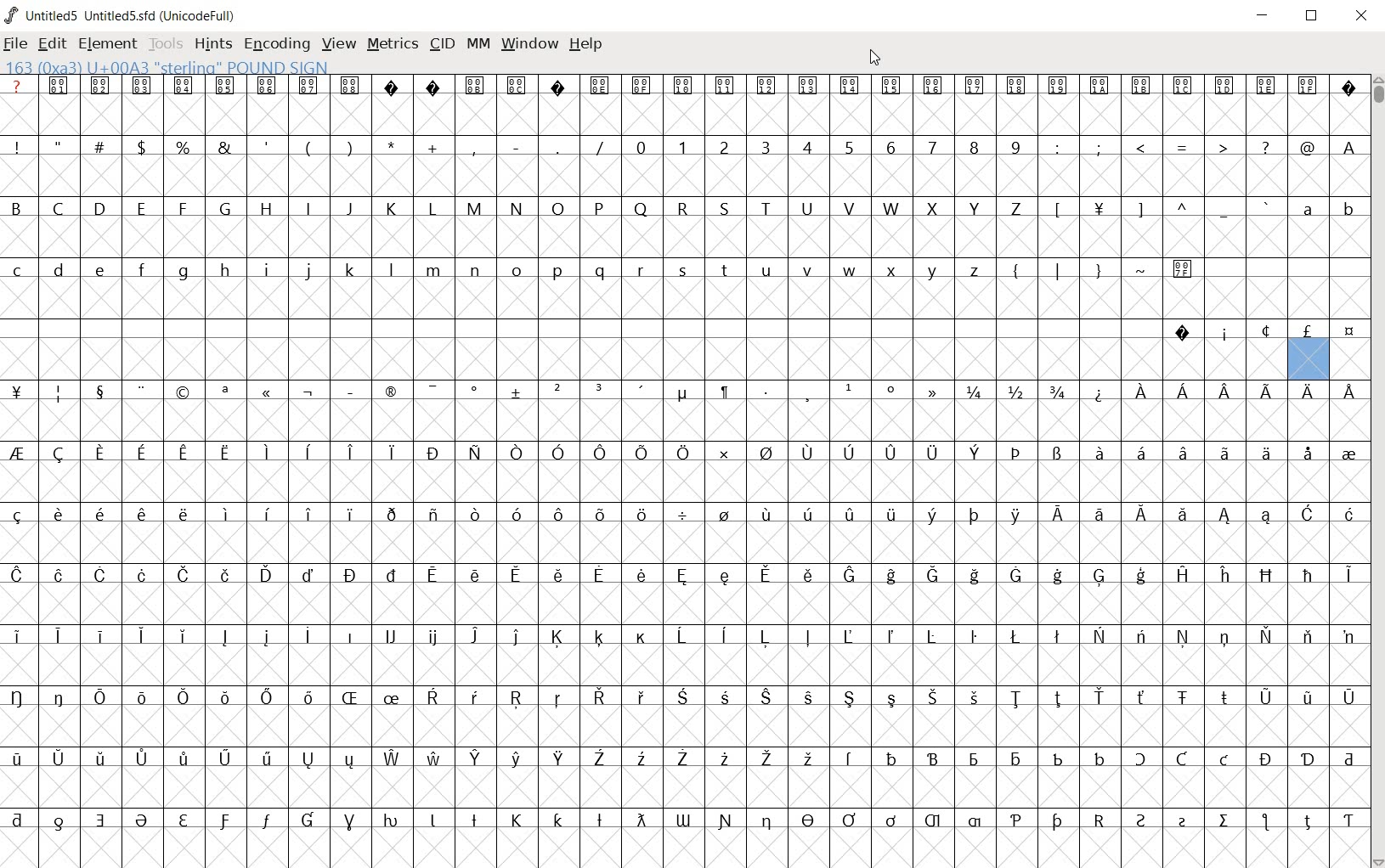 The image size is (1385, 868). What do you see at coordinates (766, 270) in the screenshot?
I see `u` at bounding box center [766, 270].